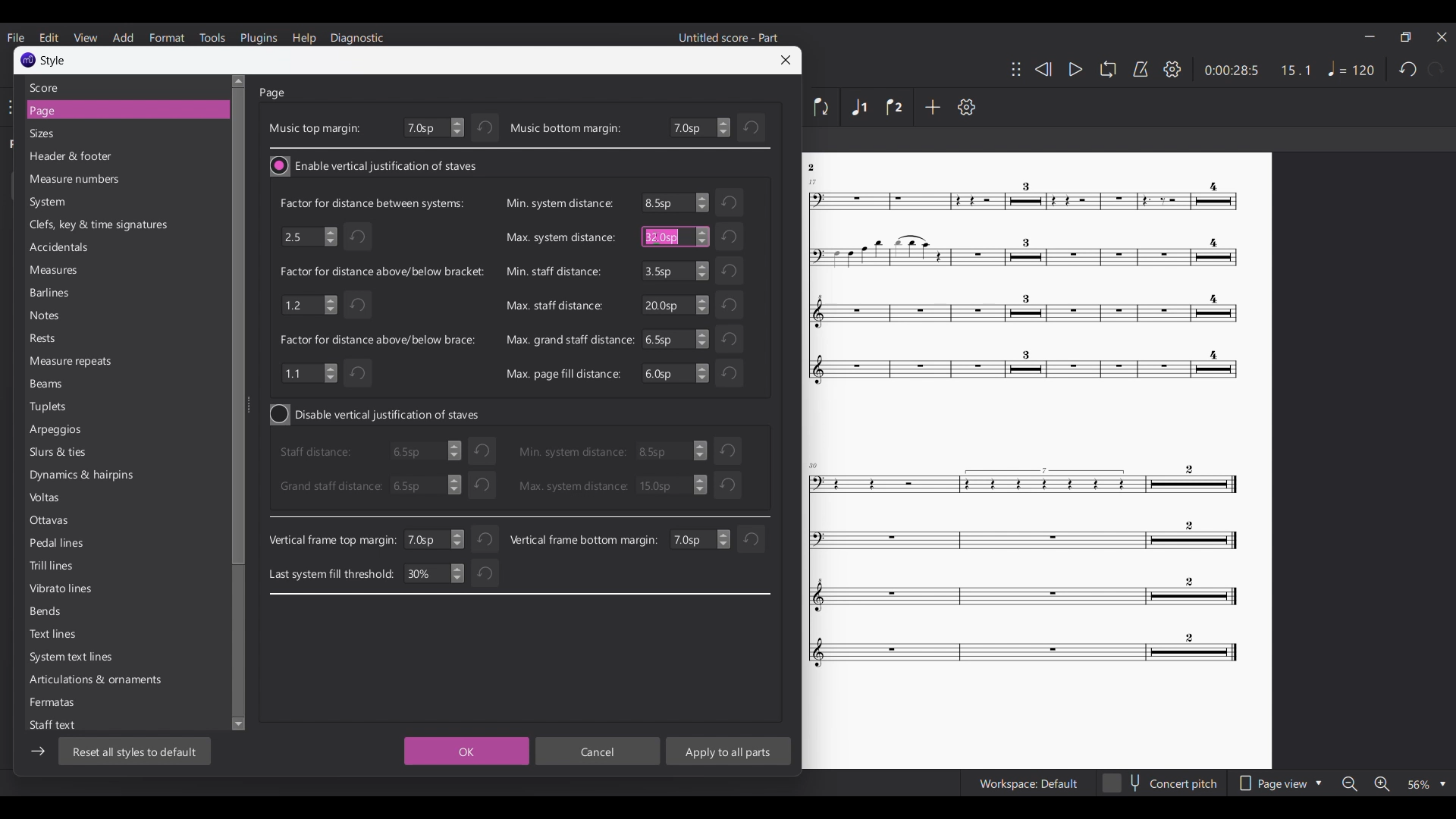 Image resolution: width=1456 pixels, height=819 pixels. I want to click on Volts, so click(79, 500).